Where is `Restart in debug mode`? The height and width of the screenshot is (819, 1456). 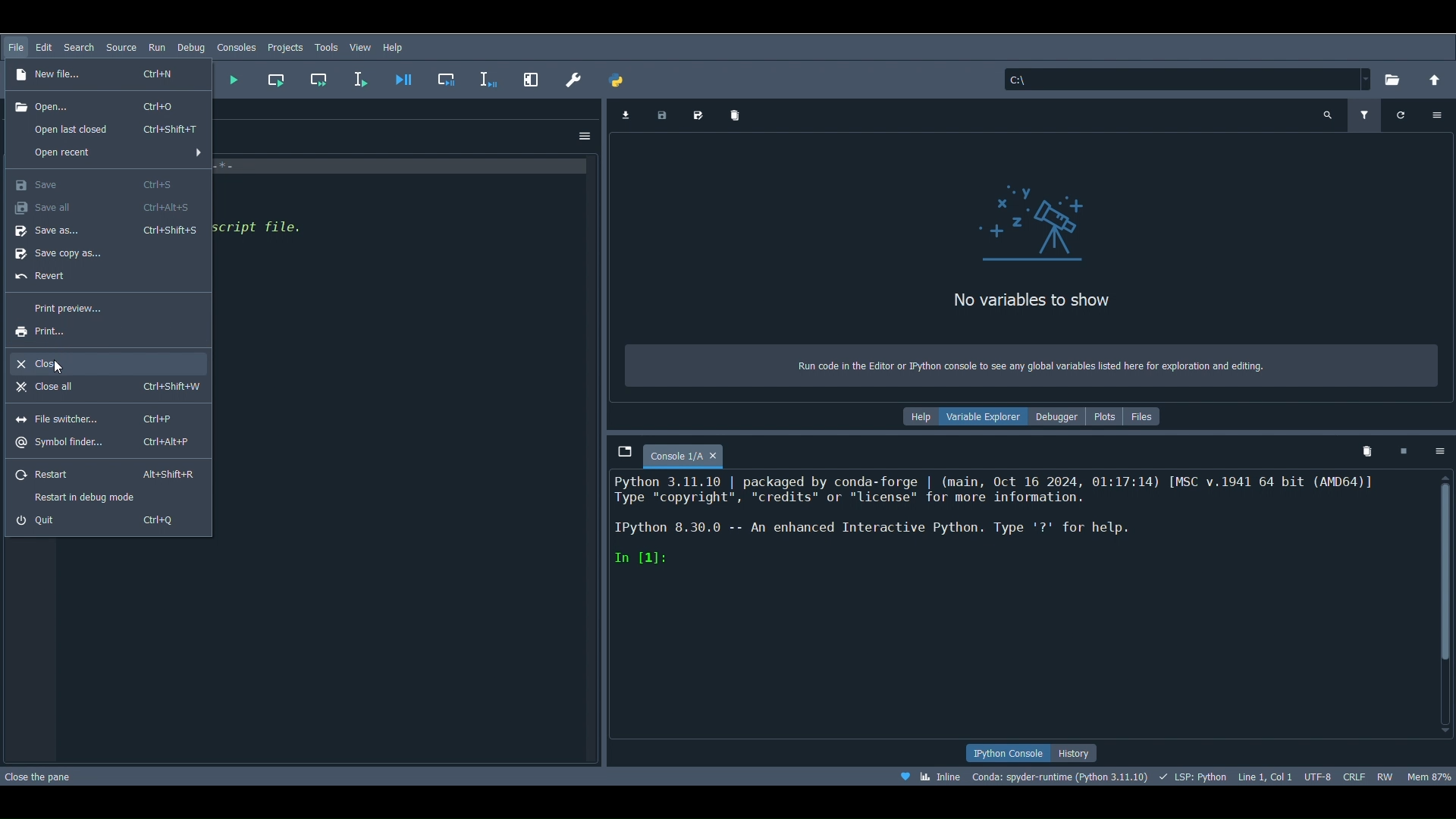 Restart in debug mode is located at coordinates (79, 496).